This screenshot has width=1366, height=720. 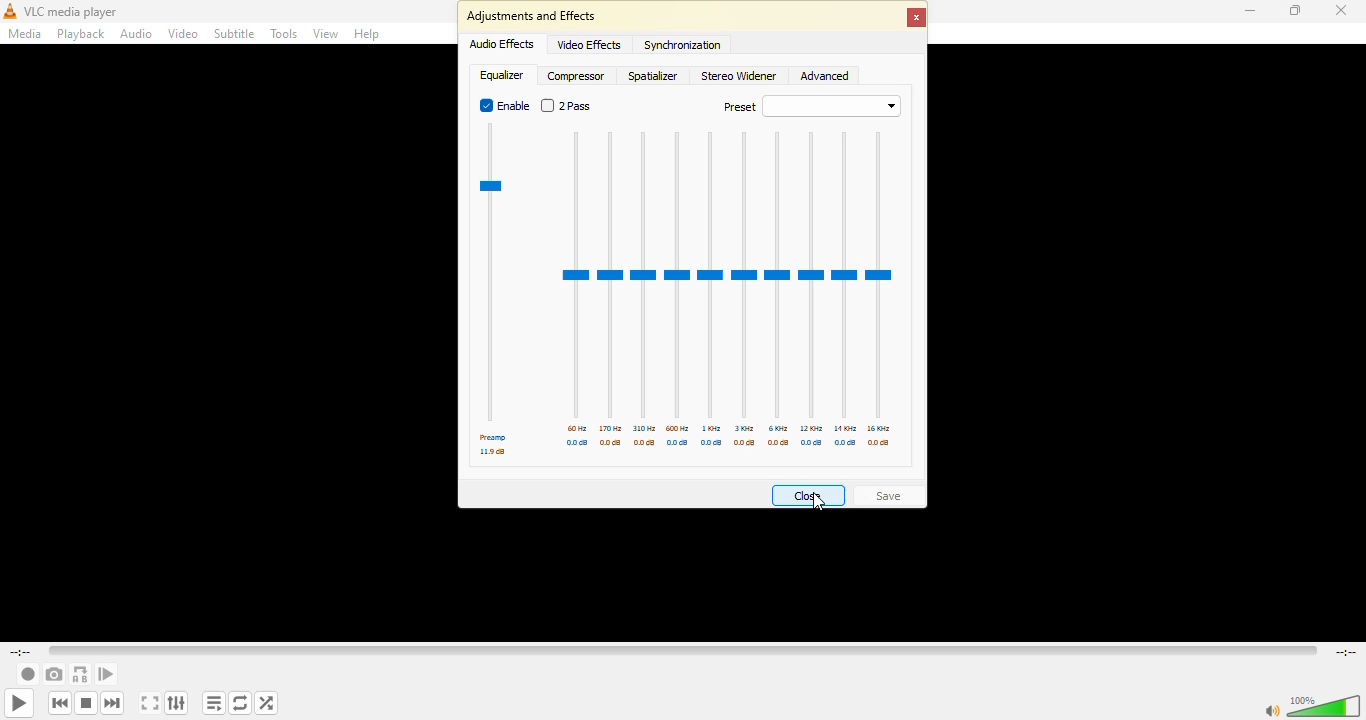 What do you see at coordinates (492, 453) in the screenshot?
I see `db` at bounding box center [492, 453].